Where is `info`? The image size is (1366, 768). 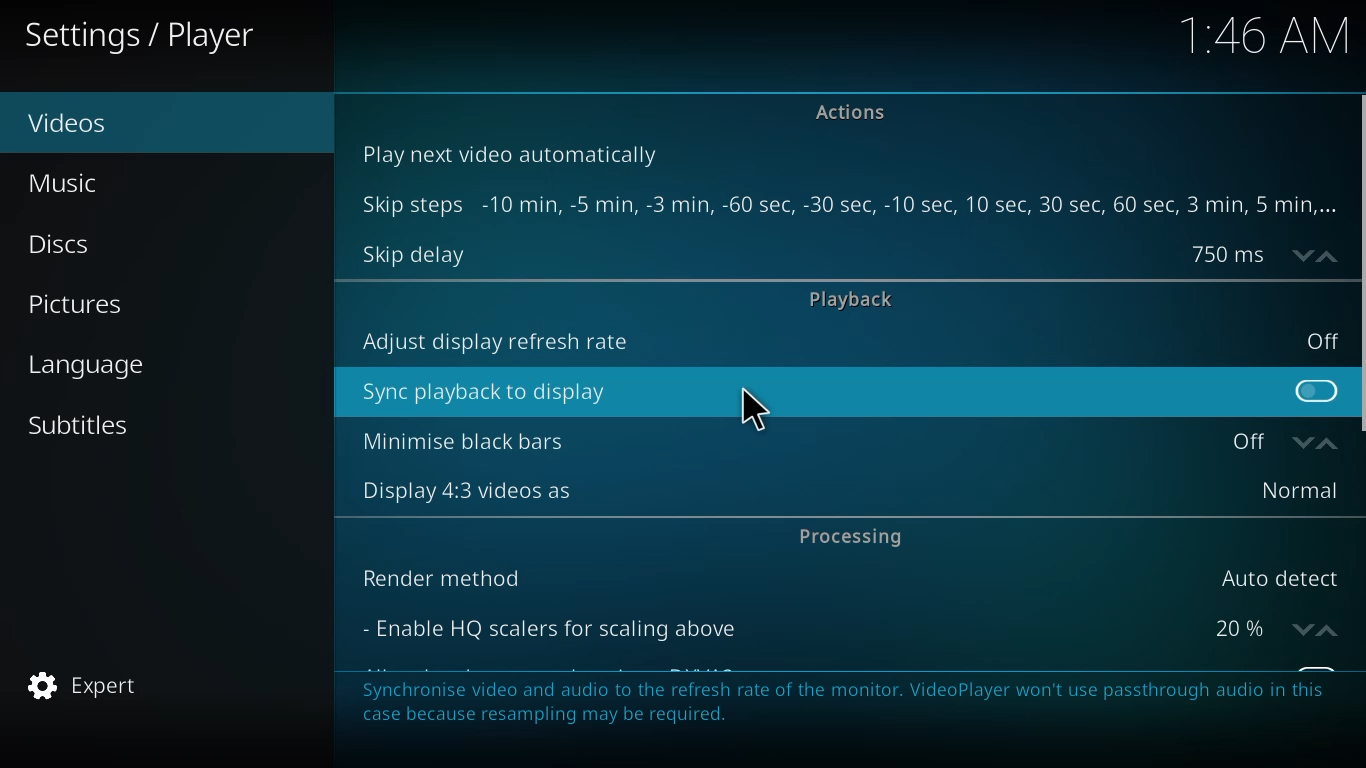 info is located at coordinates (844, 701).